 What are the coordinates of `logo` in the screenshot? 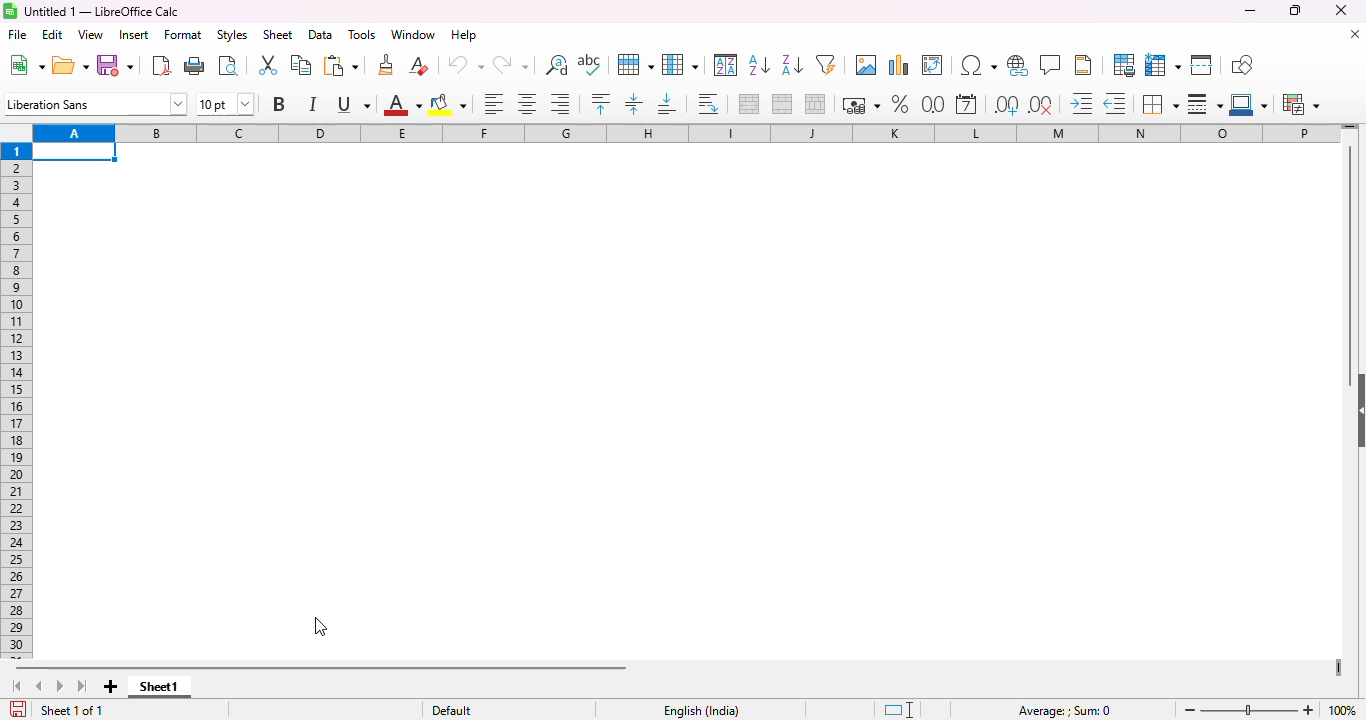 It's located at (10, 12).